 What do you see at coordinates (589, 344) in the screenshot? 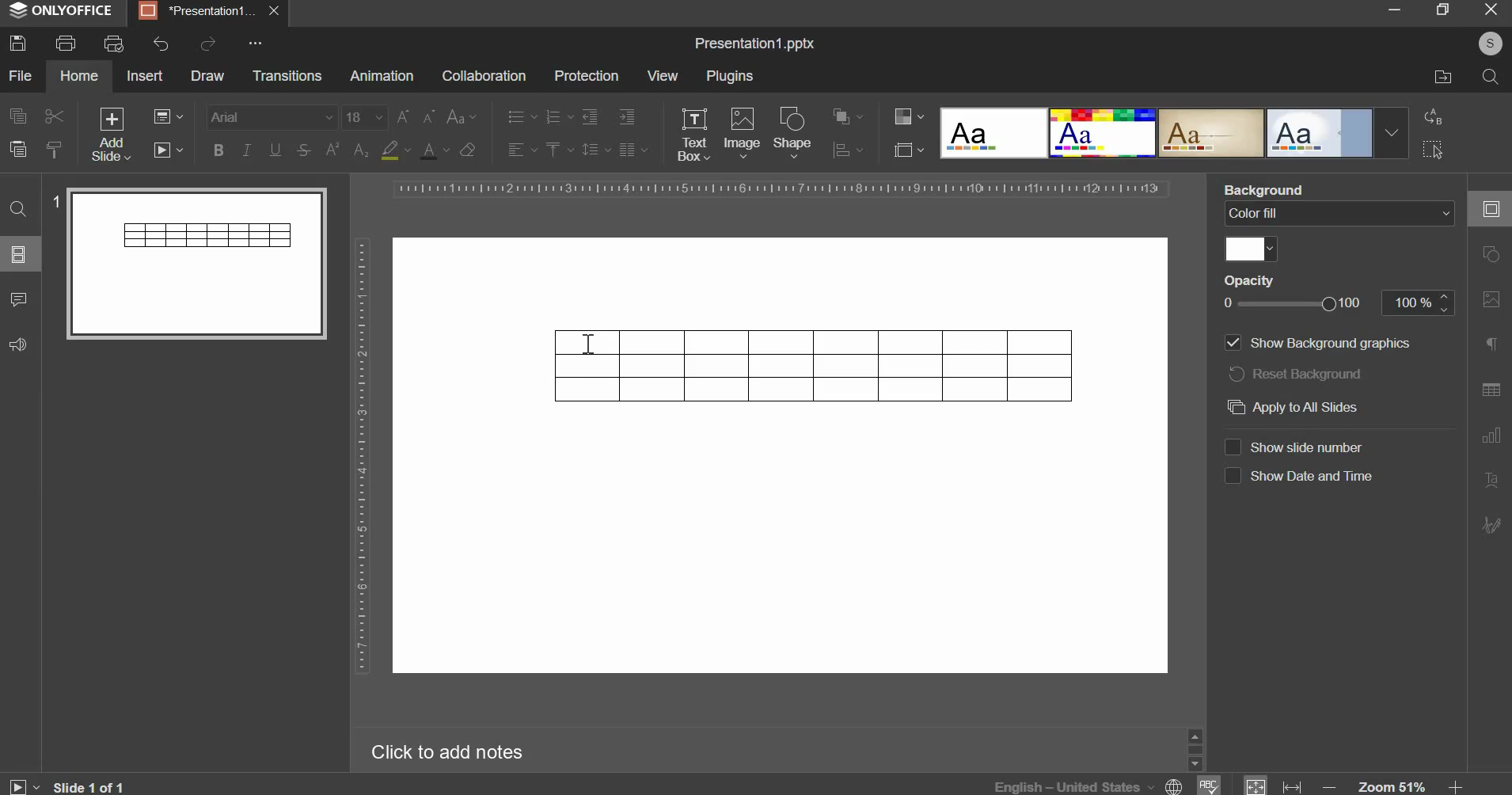
I see `text cursor` at bounding box center [589, 344].